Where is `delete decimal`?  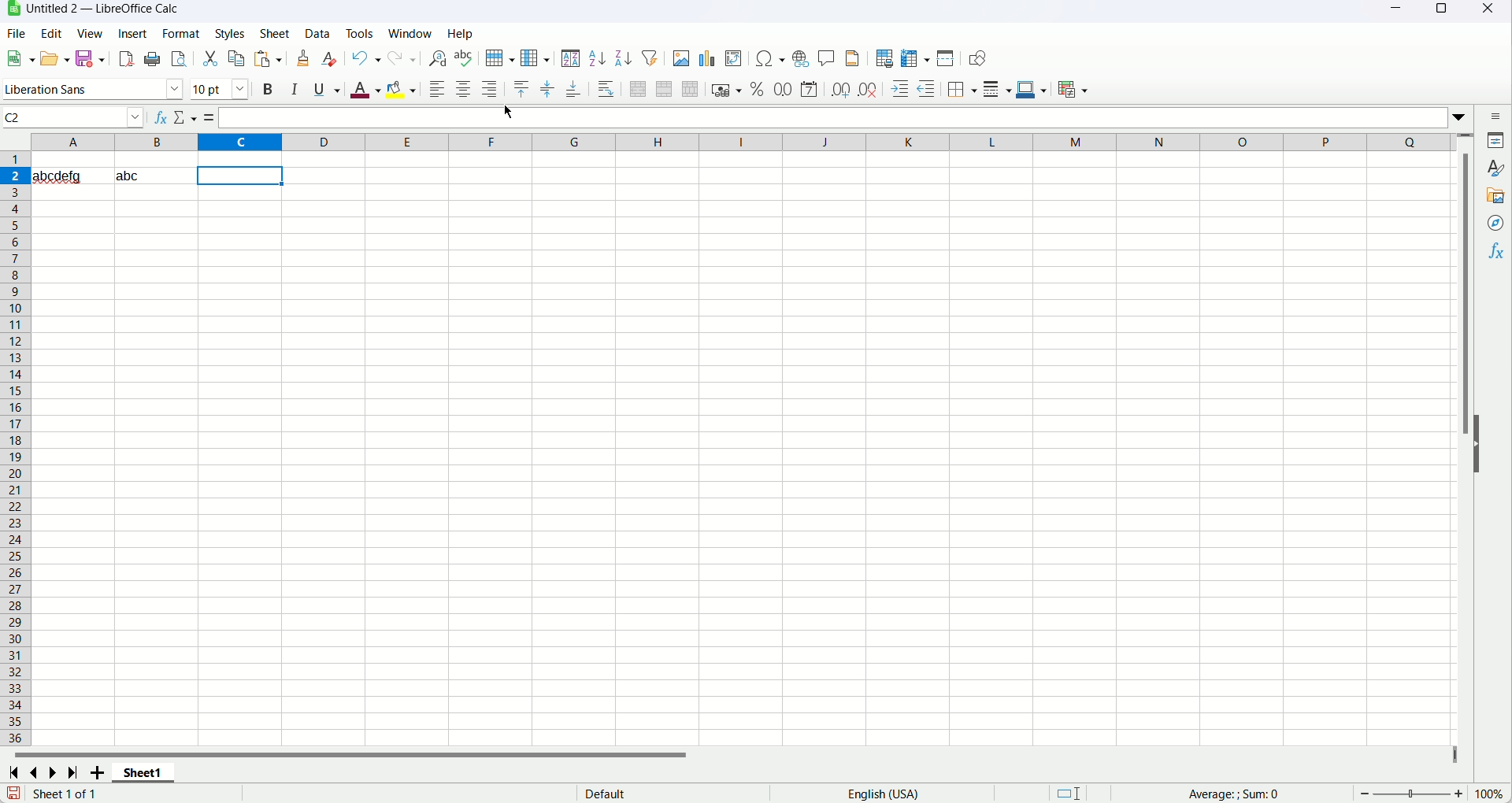 delete decimal is located at coordinates (867, 89).